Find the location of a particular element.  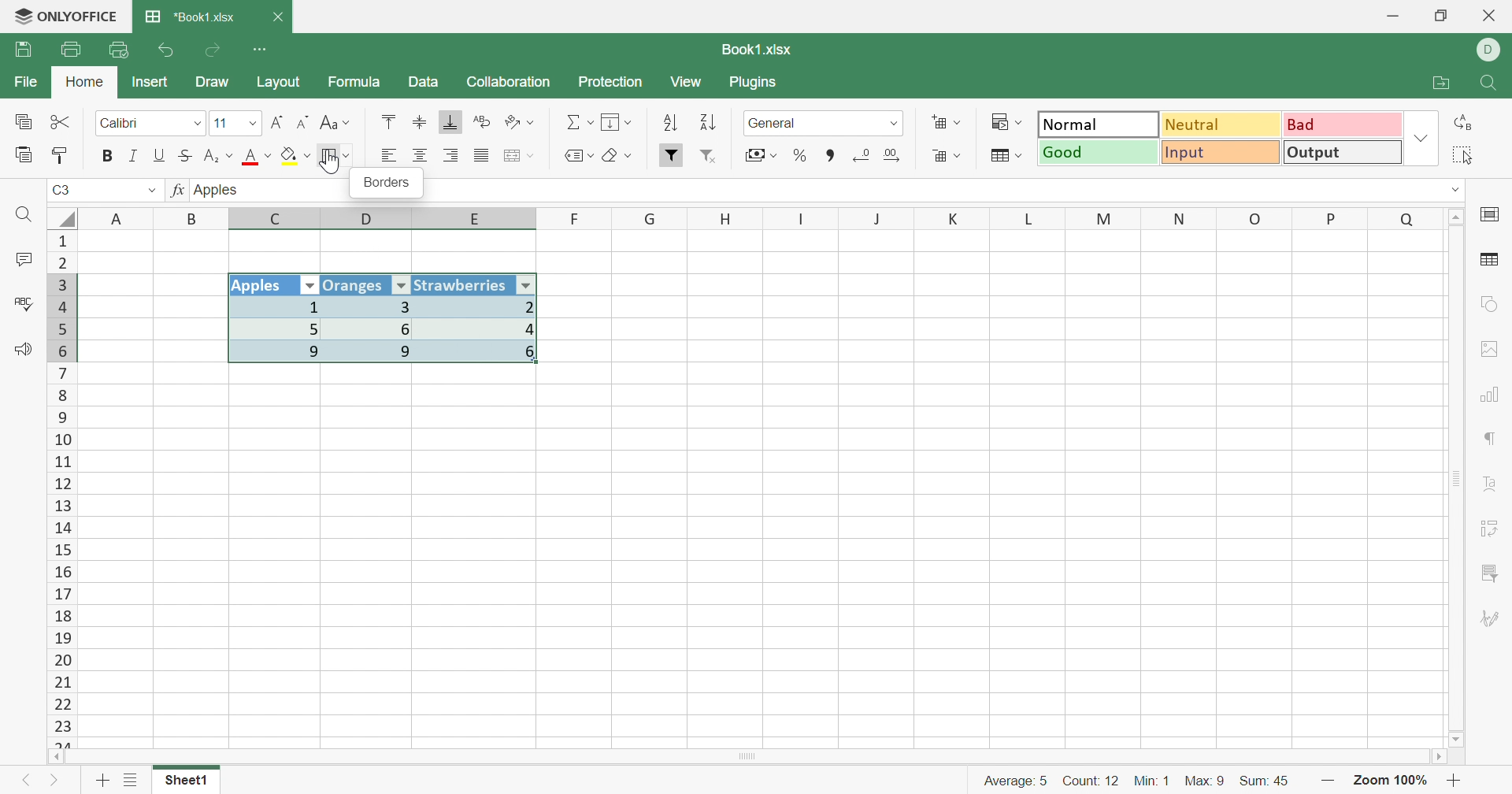

Align Top is located at coordinates (386, 121).